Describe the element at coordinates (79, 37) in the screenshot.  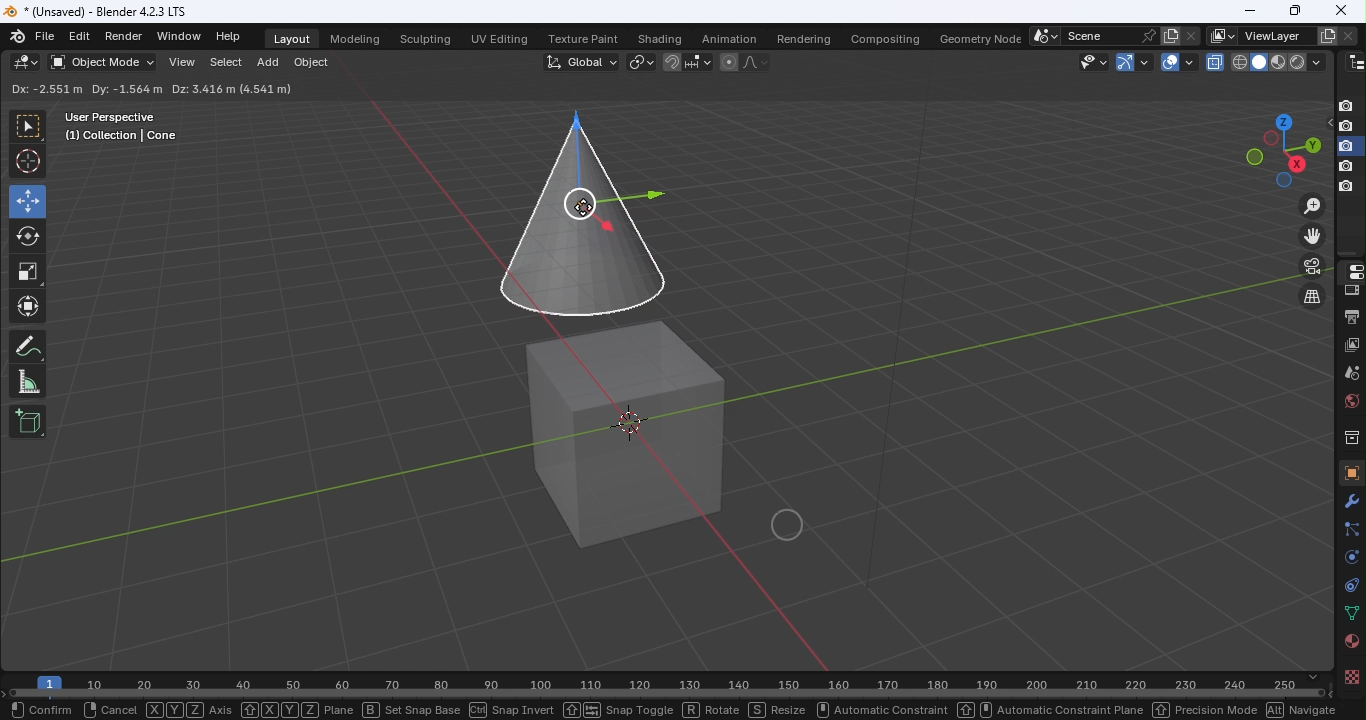
I see `Edit` at that location.